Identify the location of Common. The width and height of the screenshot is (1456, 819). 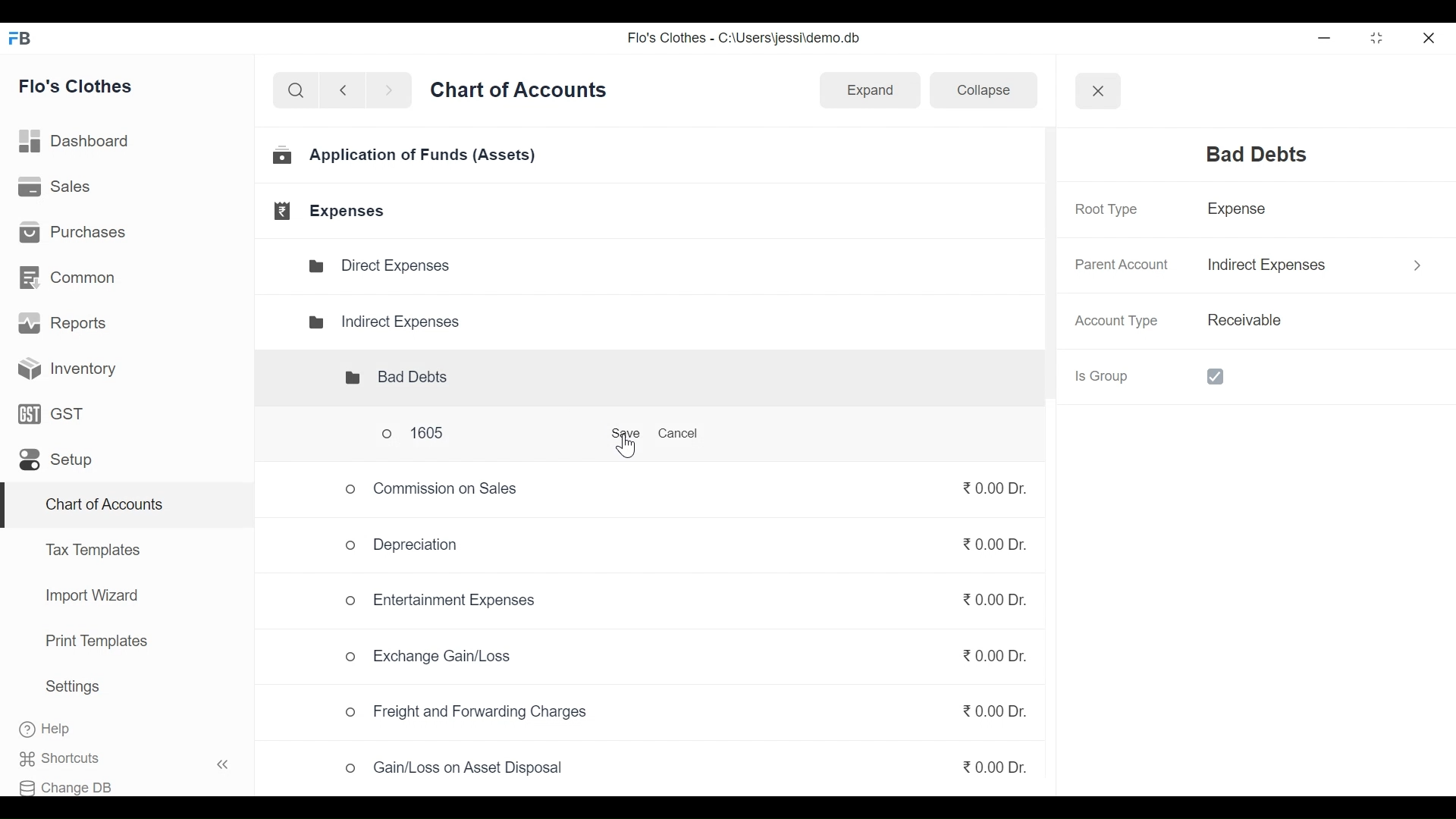
(69, 276).